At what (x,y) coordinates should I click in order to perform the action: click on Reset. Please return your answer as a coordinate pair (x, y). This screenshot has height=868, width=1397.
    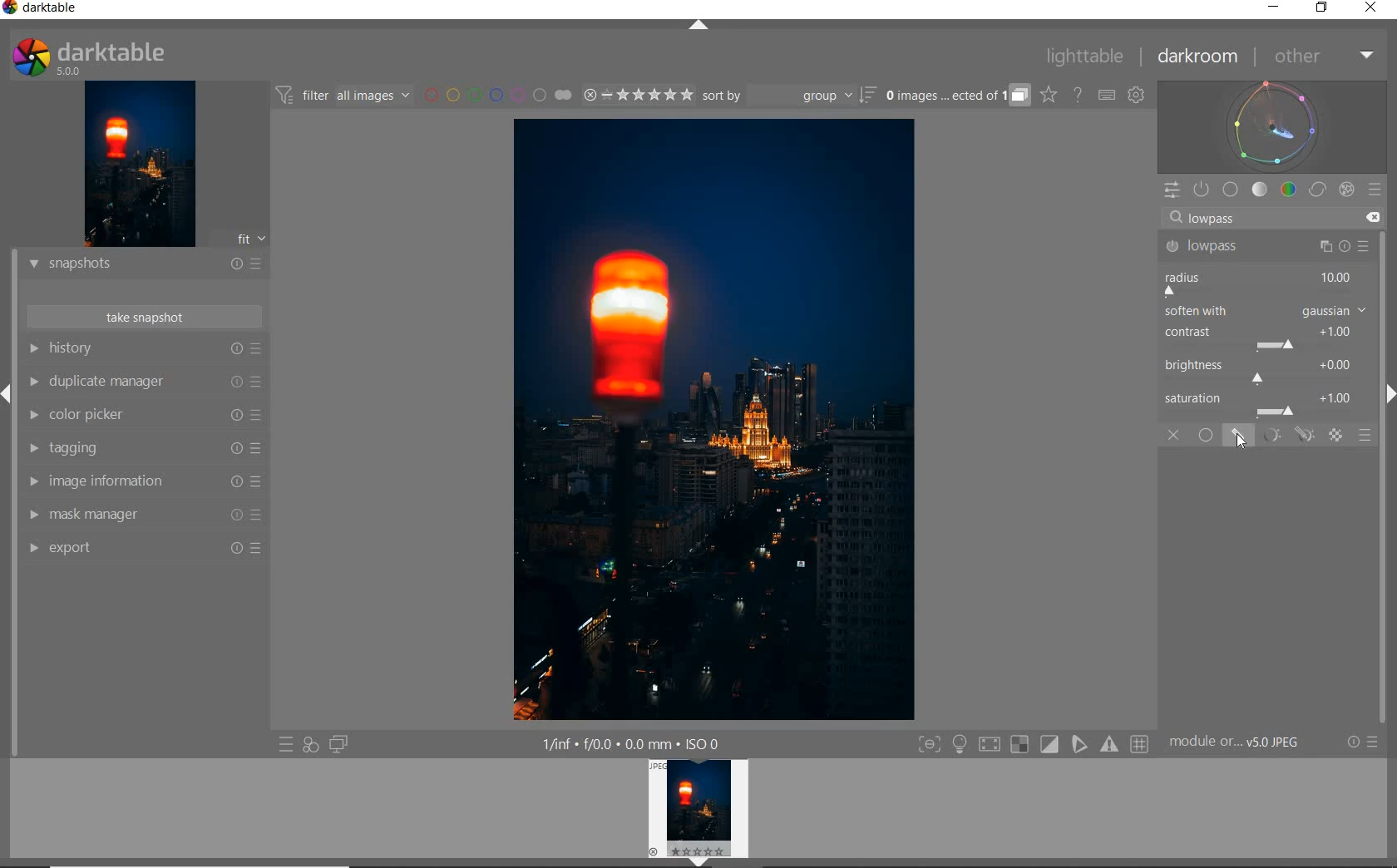
    Looking at the image, I should click on (239, 484).